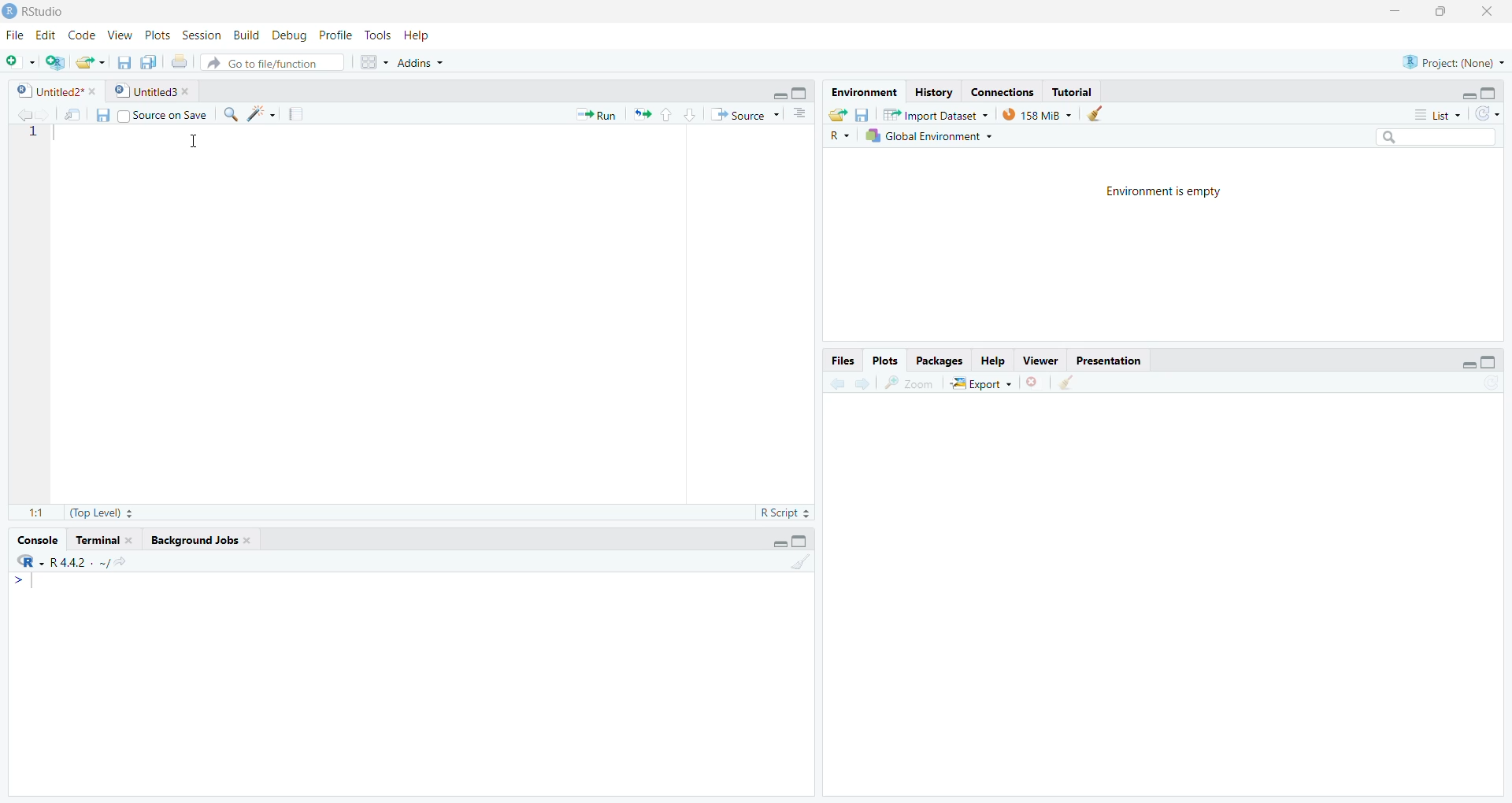  I want to click on View, so click(117, 33).